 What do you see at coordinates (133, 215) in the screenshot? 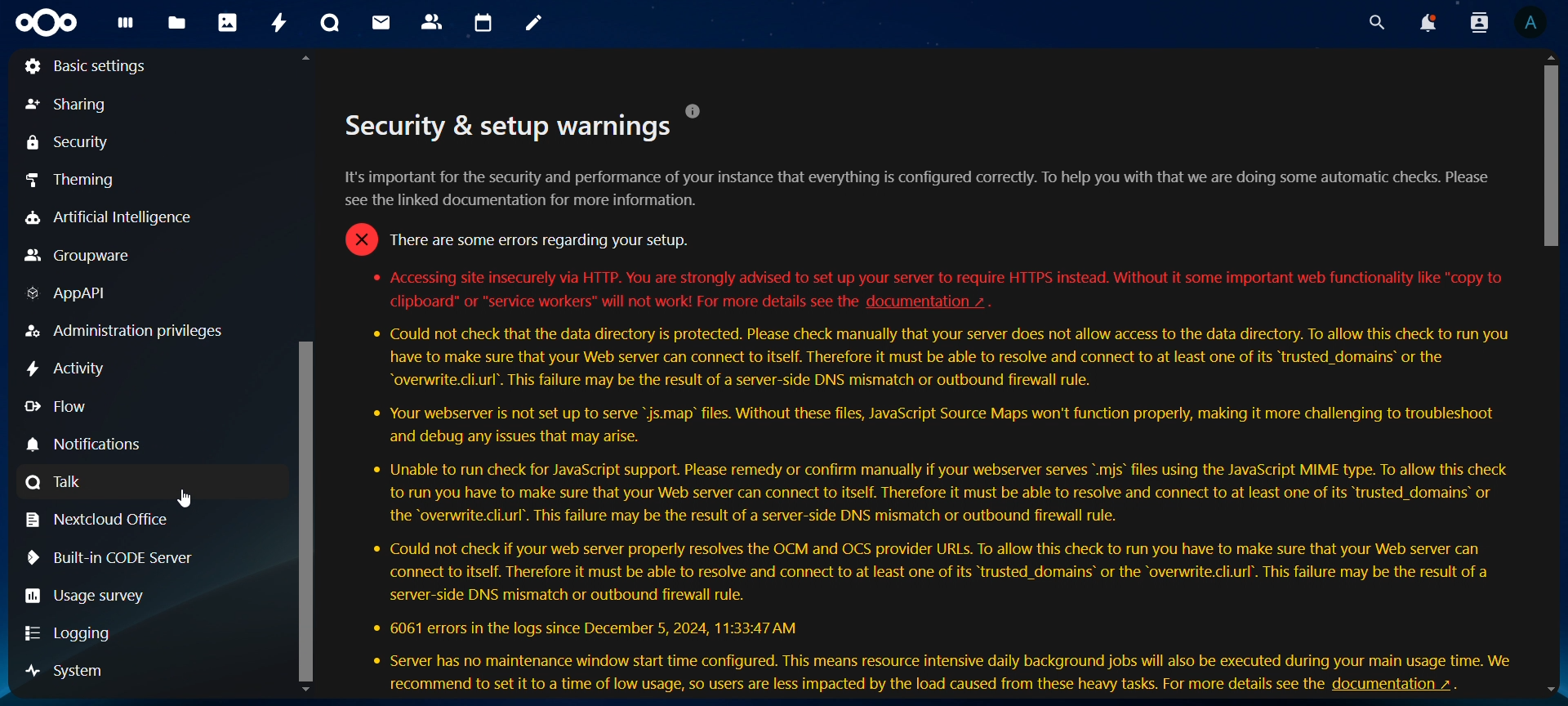
I see `artificial intelligence` at bounding box center [133, 215].